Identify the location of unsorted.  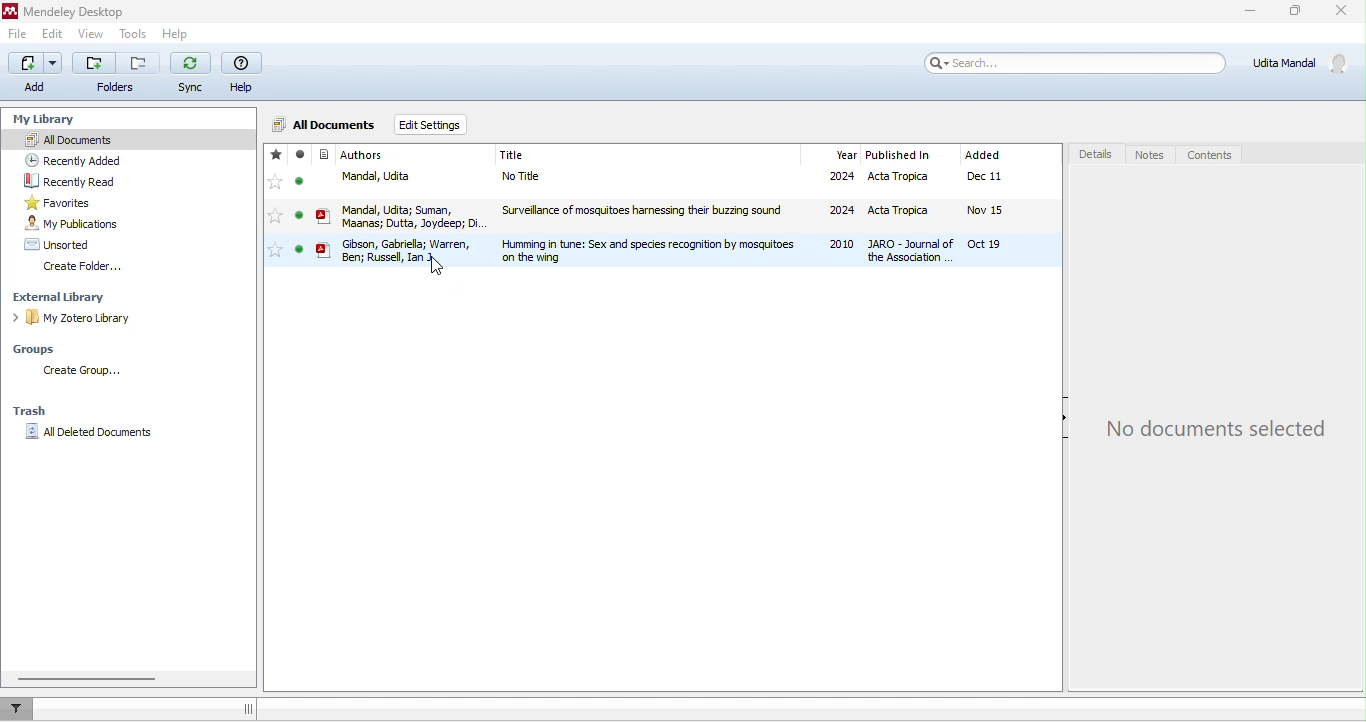
(65, 243).